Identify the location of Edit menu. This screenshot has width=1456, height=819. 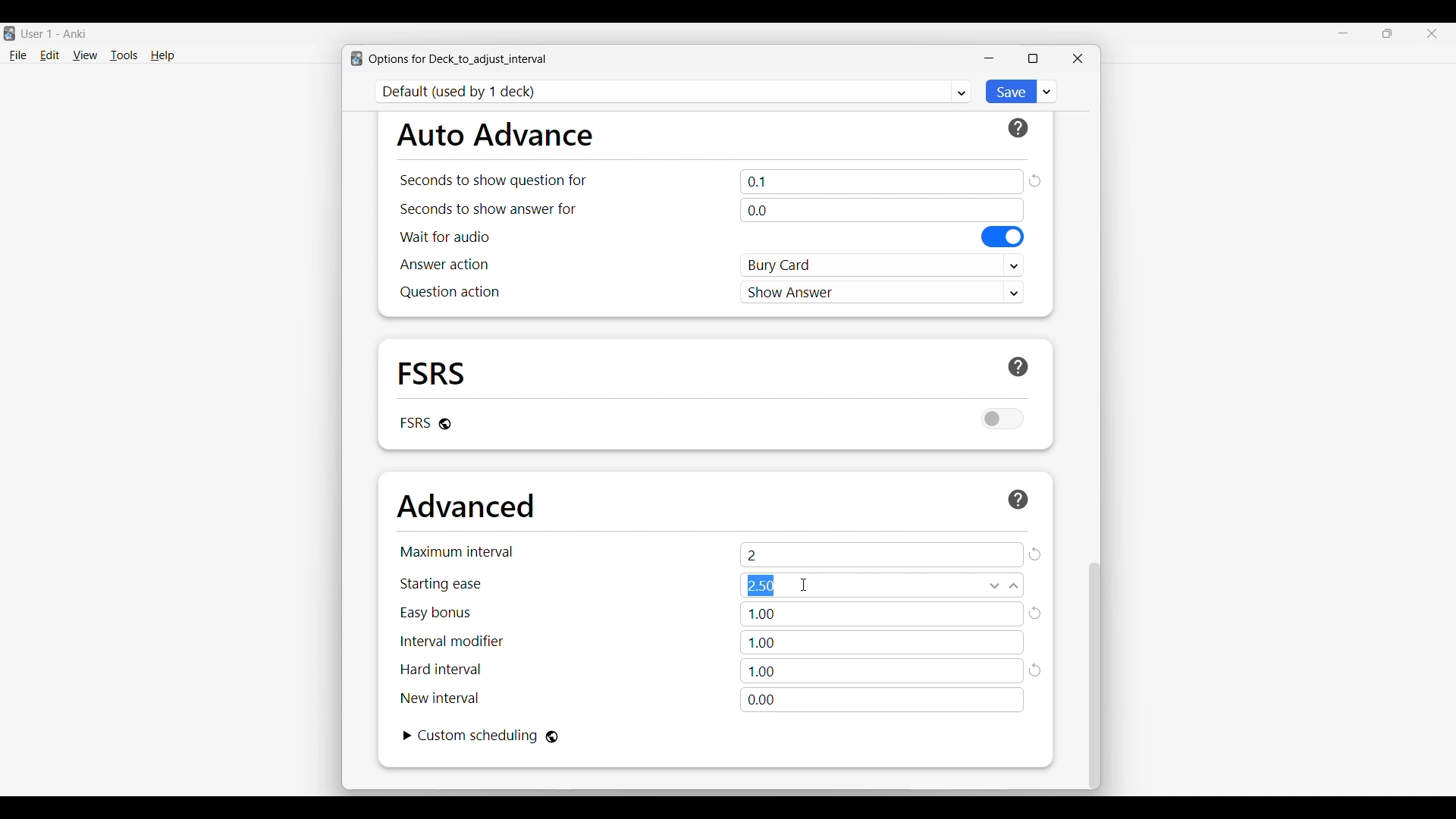
(50, 56).